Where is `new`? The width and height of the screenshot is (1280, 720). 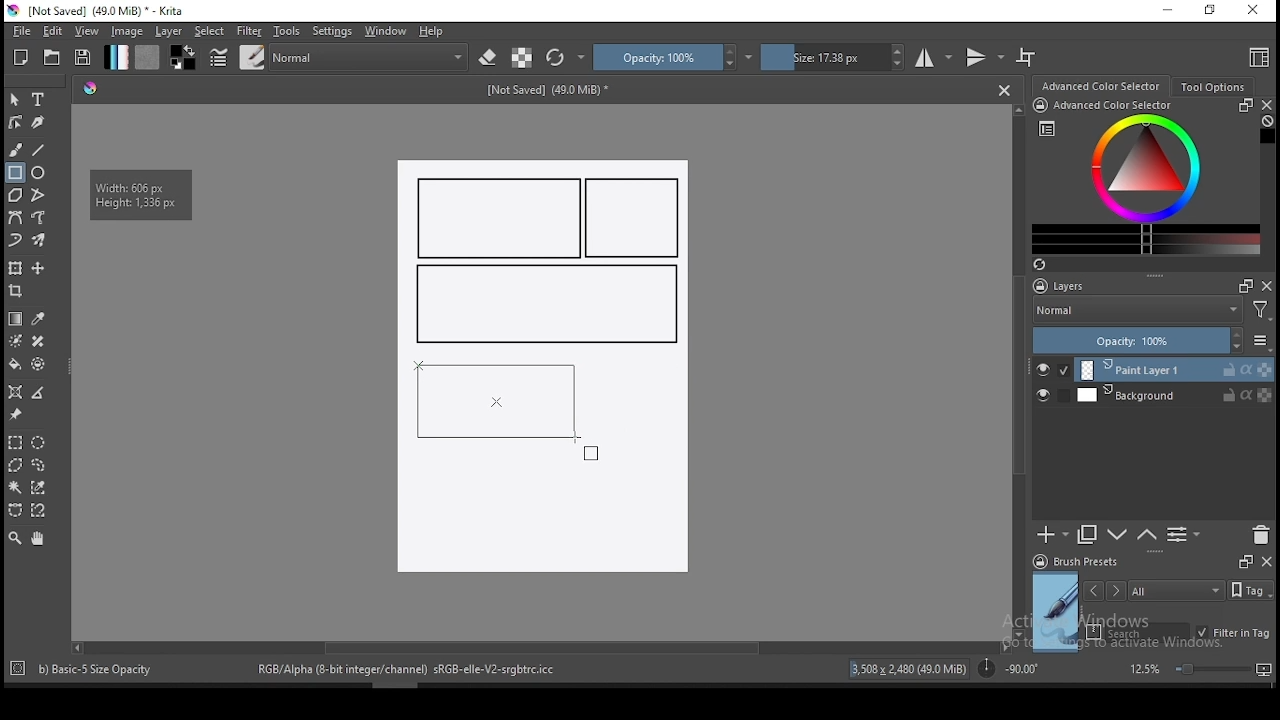 new is located at coordinates (21, 57).